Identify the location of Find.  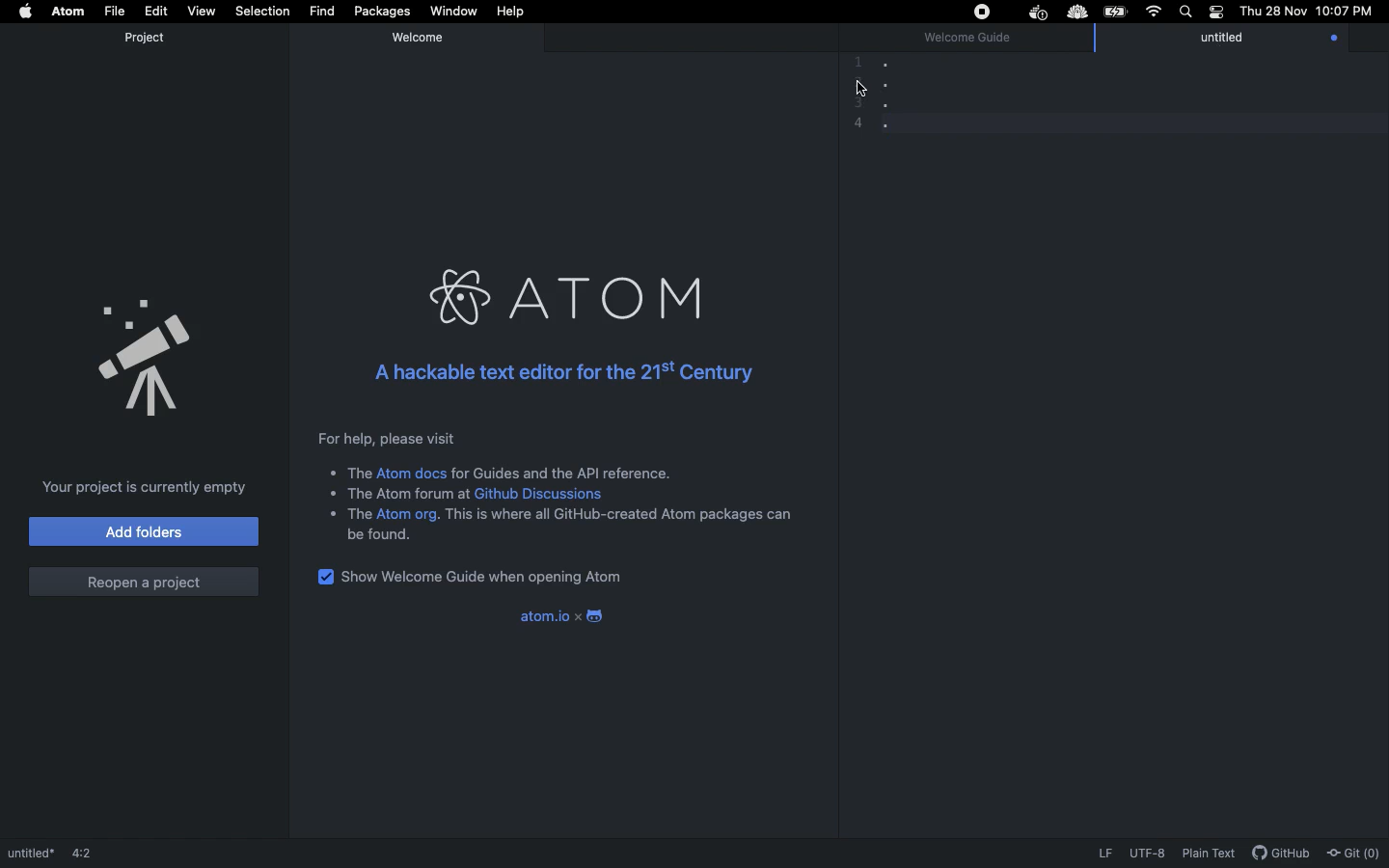
(320, 11).